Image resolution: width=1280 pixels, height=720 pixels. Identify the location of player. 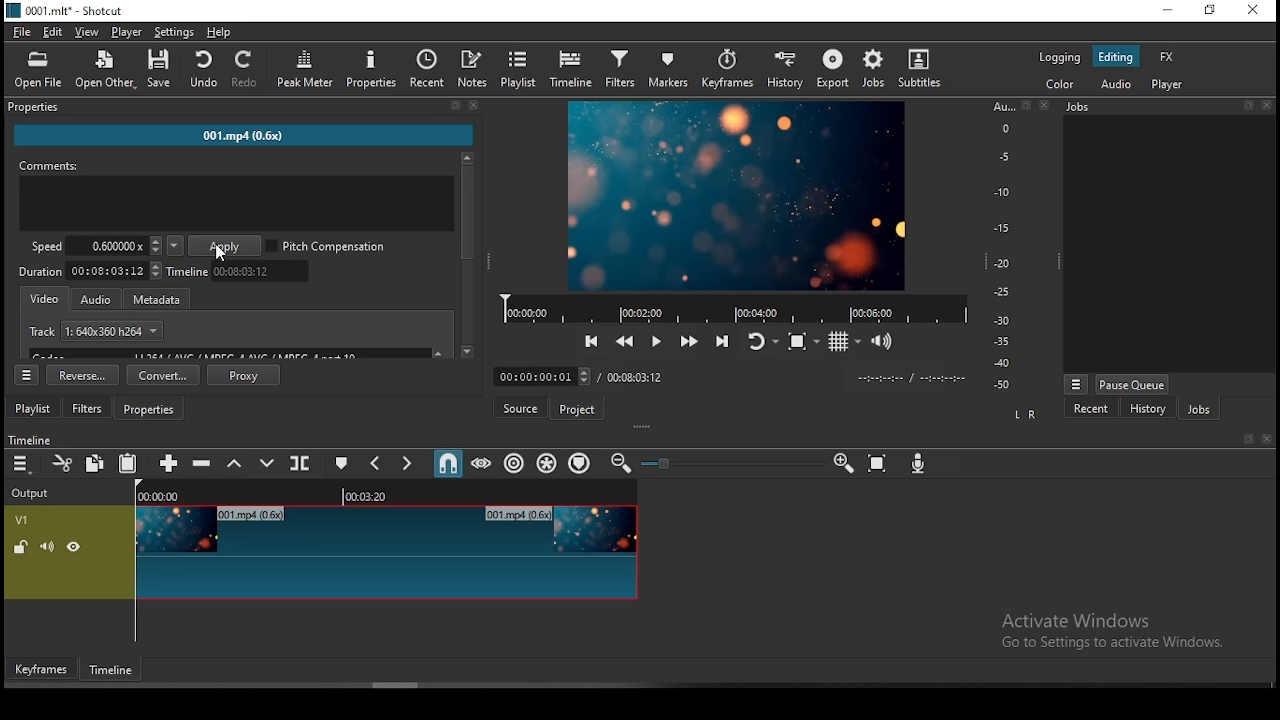
(127, 31).